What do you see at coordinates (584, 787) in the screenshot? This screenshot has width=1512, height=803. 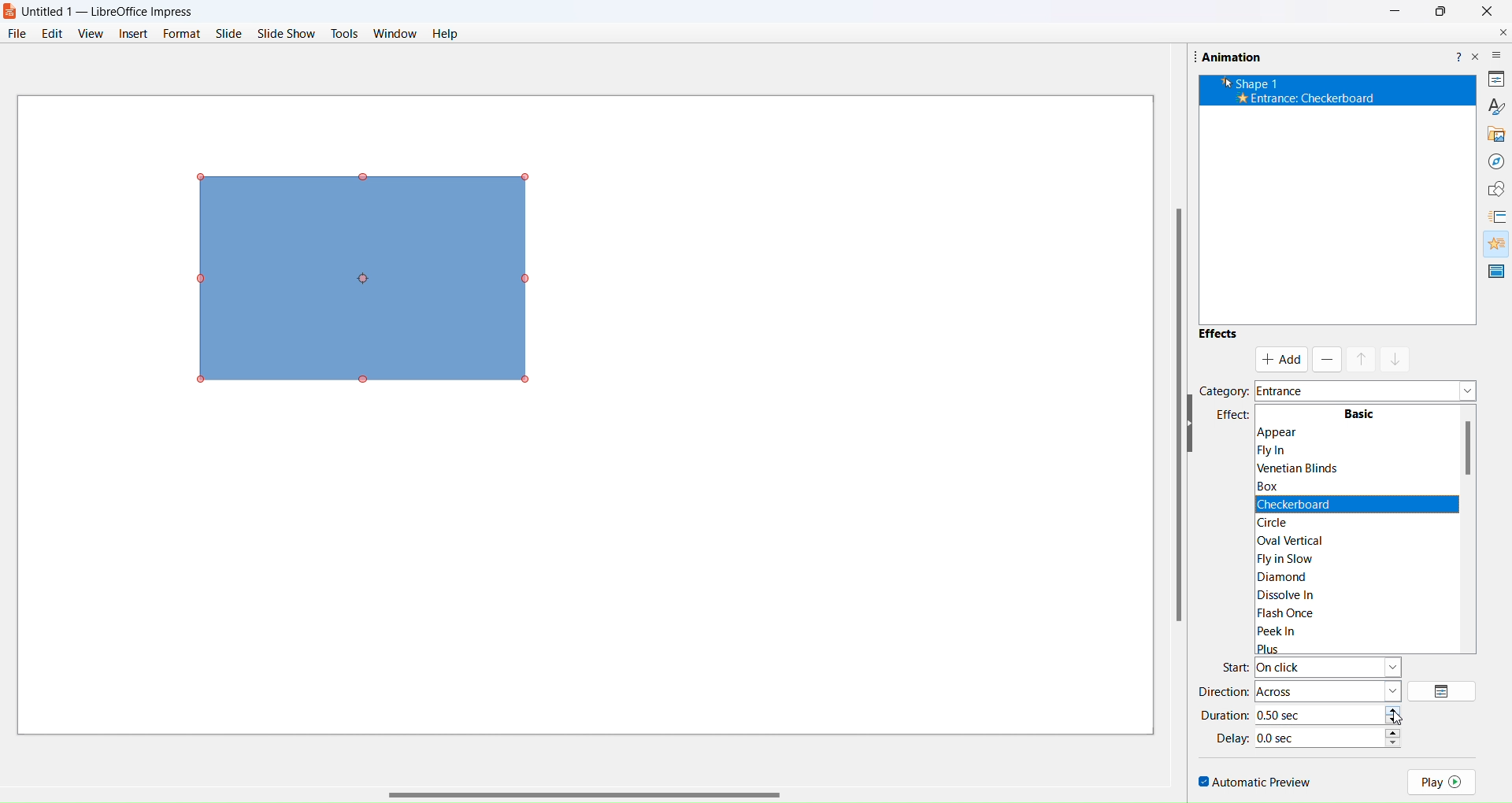 I see `scroll bar` at bounding box center [584, 787].